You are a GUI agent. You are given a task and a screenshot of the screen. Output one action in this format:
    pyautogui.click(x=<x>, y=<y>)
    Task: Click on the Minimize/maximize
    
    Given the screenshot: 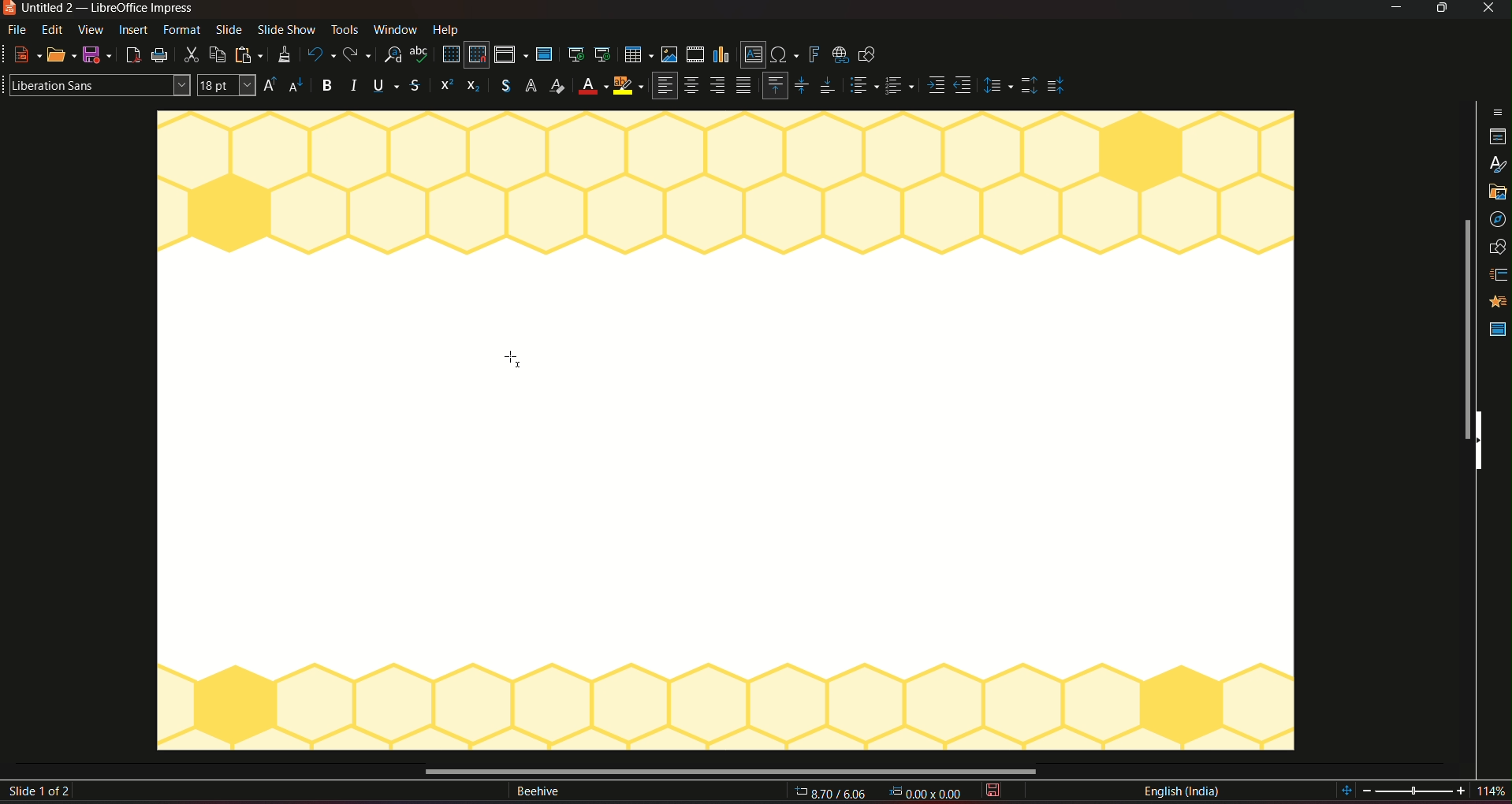 What is the action you would take?
    pyautogui.click(x=1440, y=9)
    